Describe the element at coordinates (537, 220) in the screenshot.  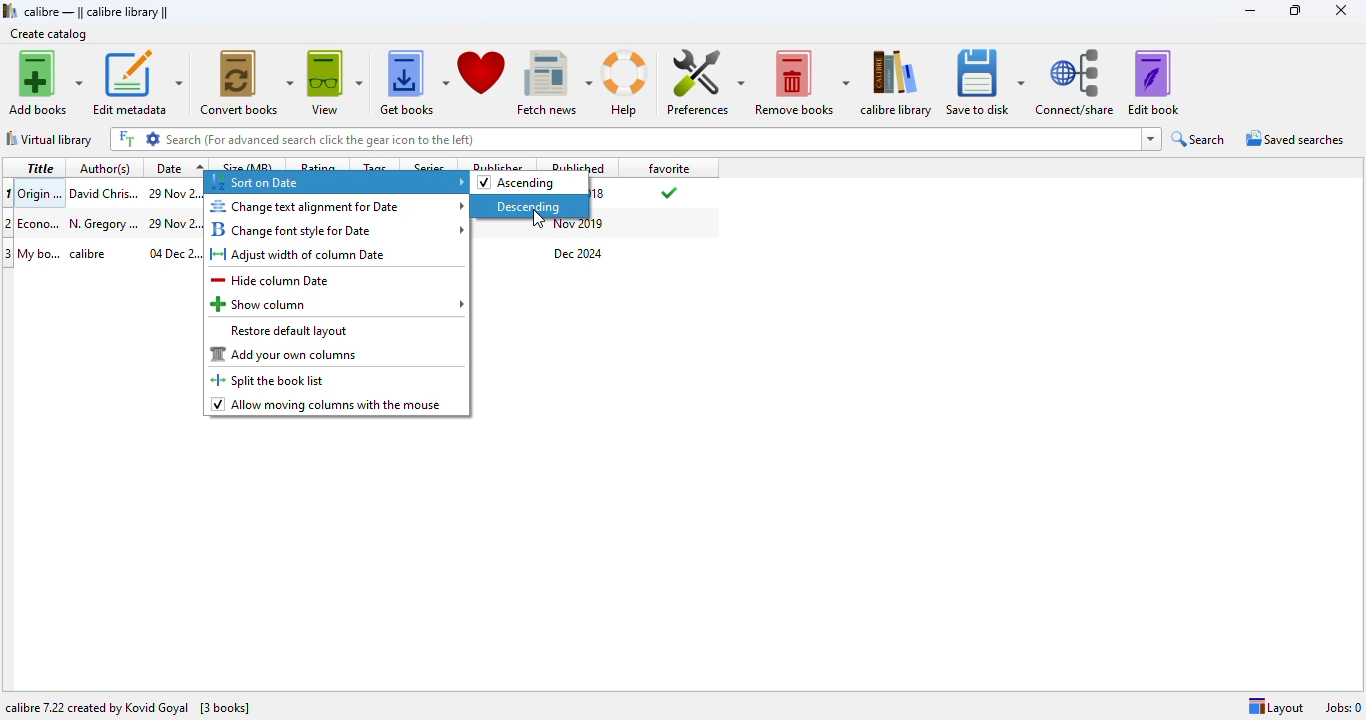
I see `cursor` at that location.